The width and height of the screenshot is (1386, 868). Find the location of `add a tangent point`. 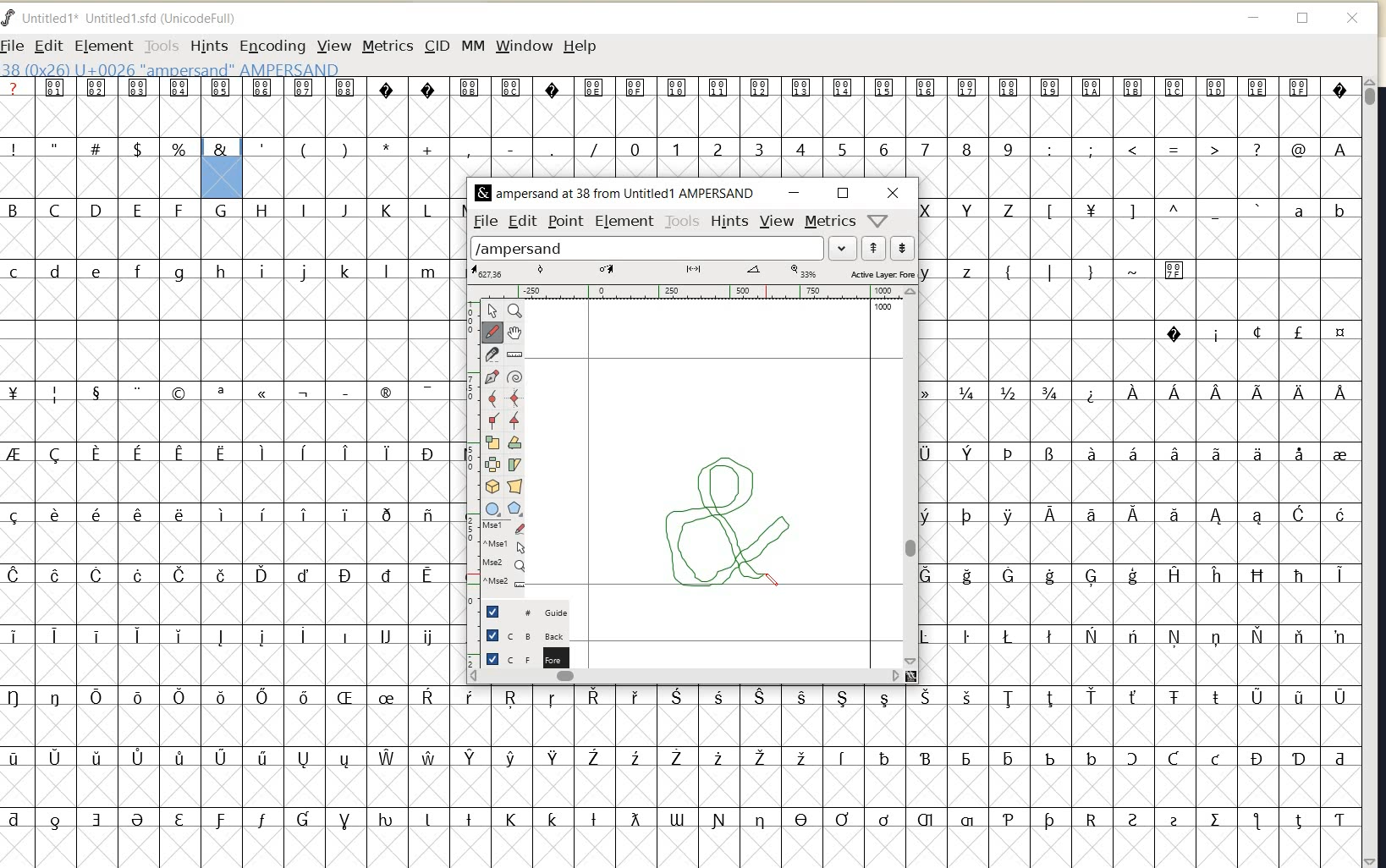

add a tangent point is located at coordinates (514, 420).